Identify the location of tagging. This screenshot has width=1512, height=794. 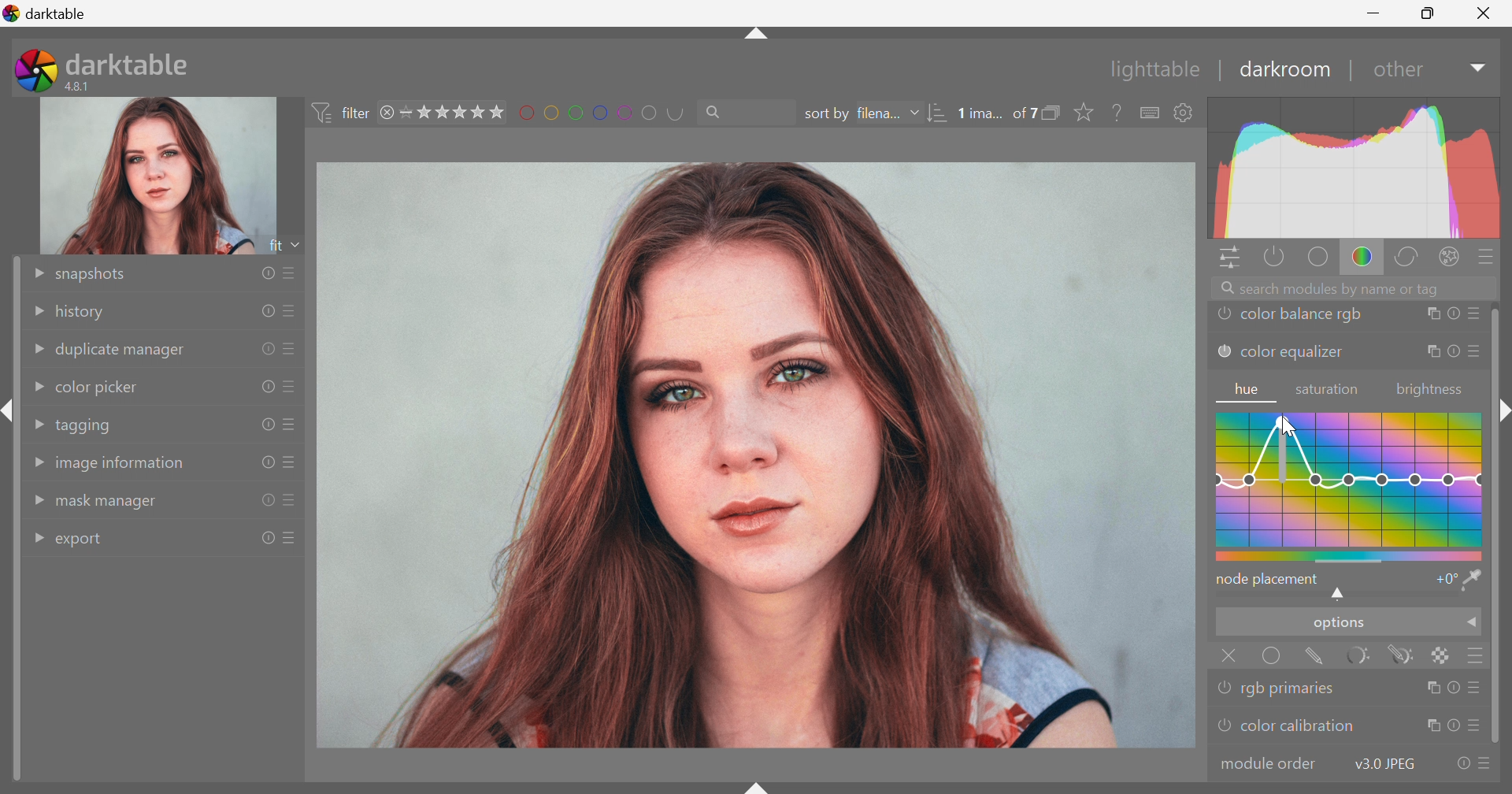
(86, 426).